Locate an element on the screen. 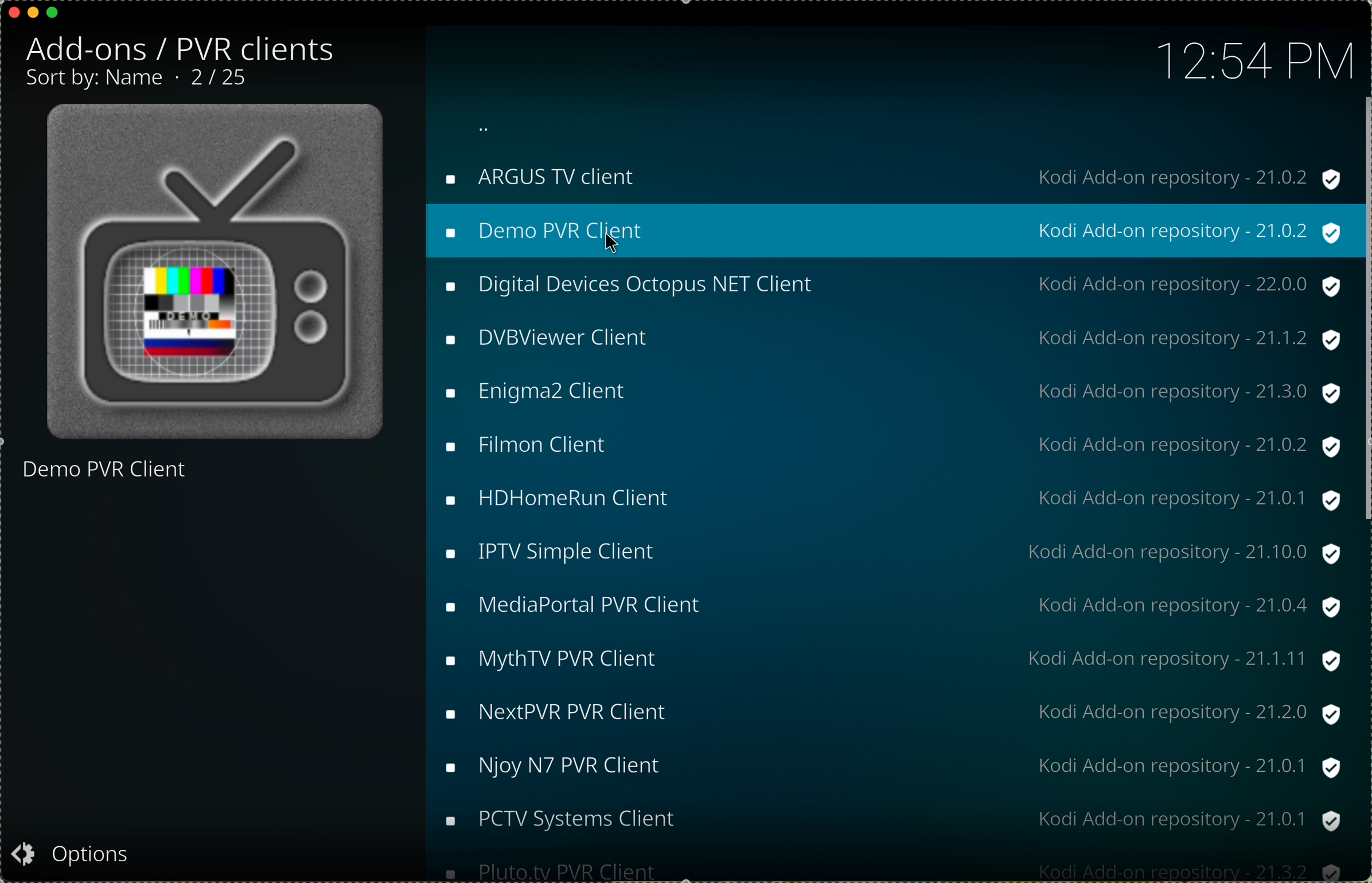 The width and height of the screenshot is (1372, 883). 21.0.2 is located at coordinates (1282, 178).